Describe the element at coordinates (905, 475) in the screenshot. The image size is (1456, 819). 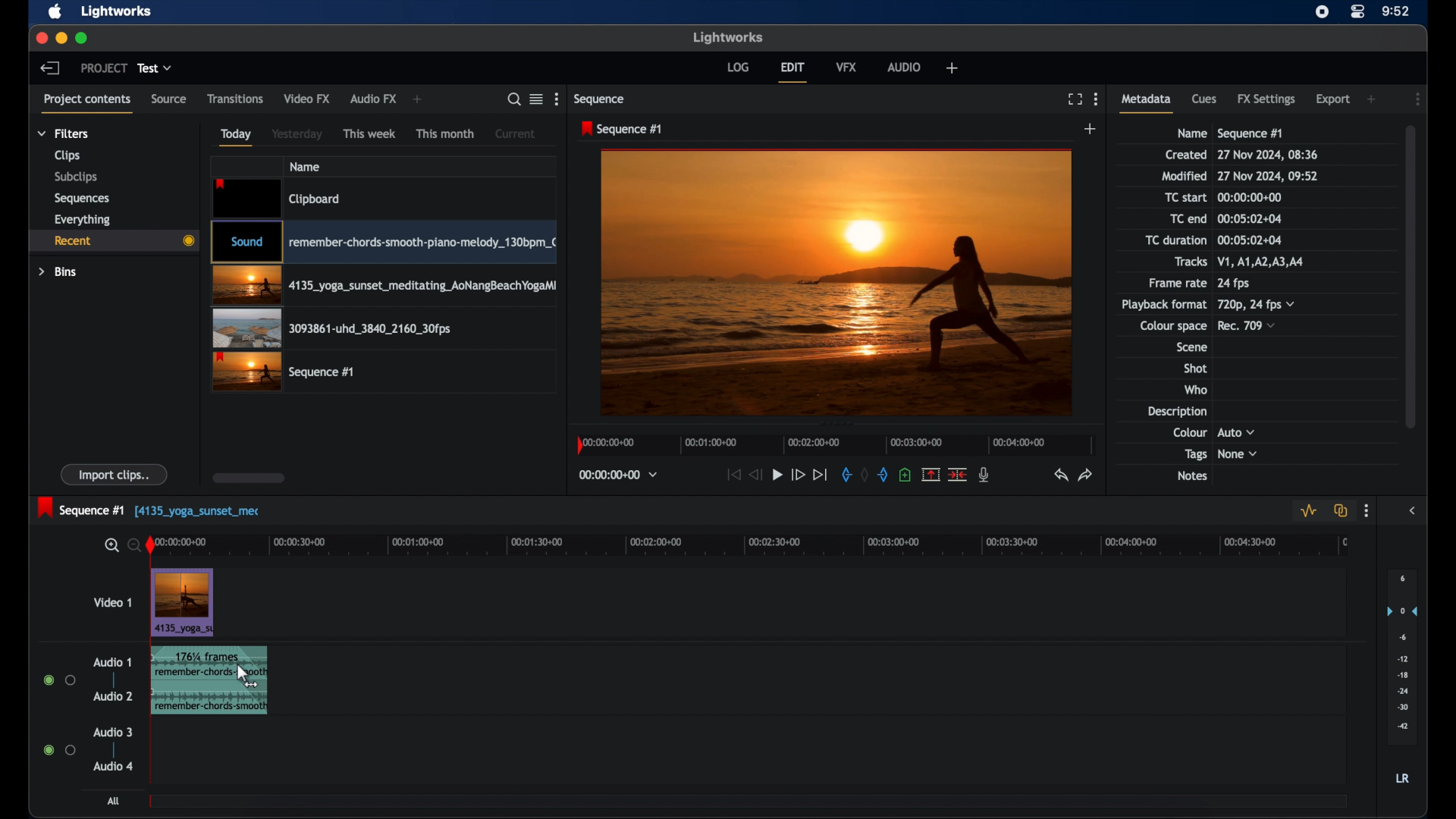
I see `add a cue at the current position` at that location.